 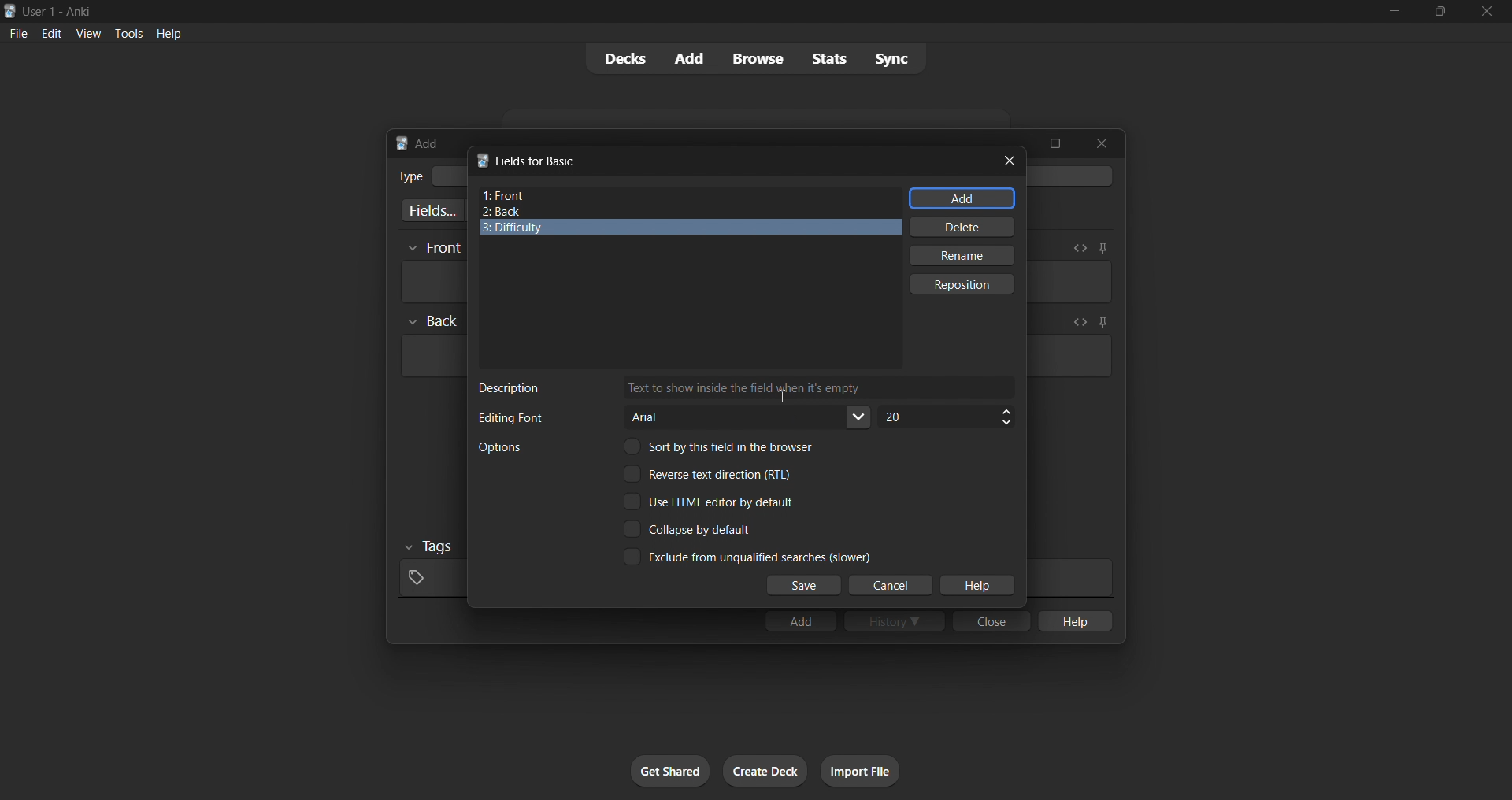 What do you see at coordinates (749, 417) in the screenshot?
I see `field font style` at bounding box center [749, 417].